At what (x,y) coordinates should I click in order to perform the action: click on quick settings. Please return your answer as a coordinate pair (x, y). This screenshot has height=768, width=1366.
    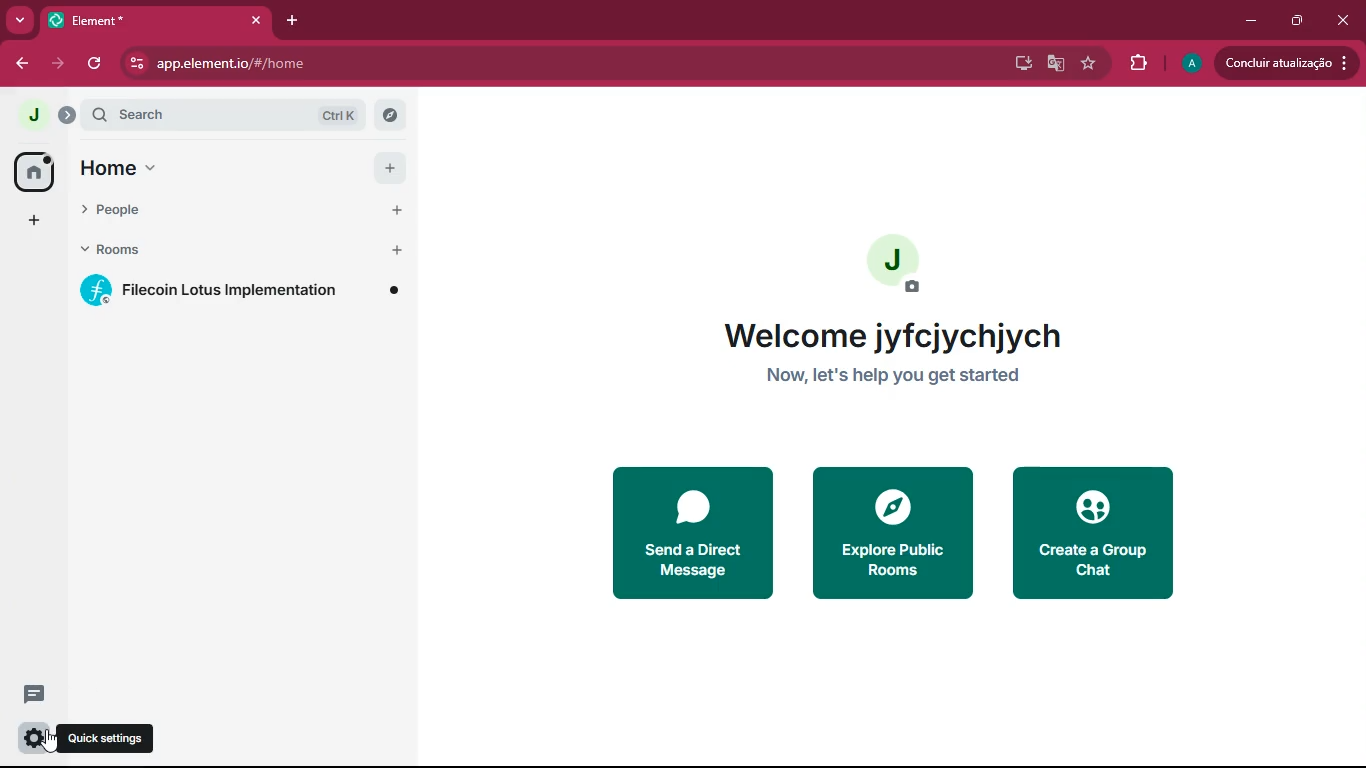
    Looking at the image, I should click on (111, 736).